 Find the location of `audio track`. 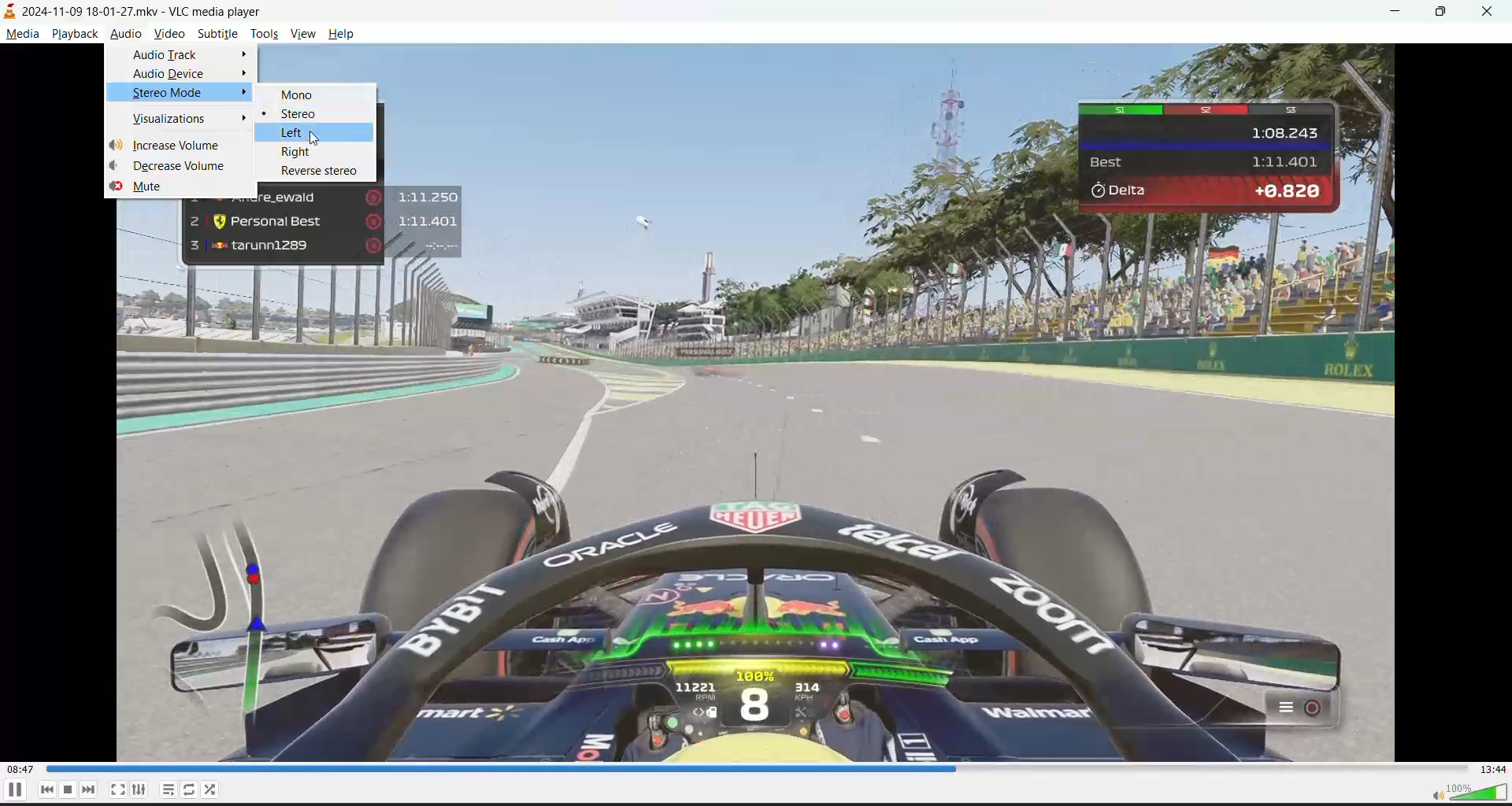

audio track is located at coordinates (165, 57).